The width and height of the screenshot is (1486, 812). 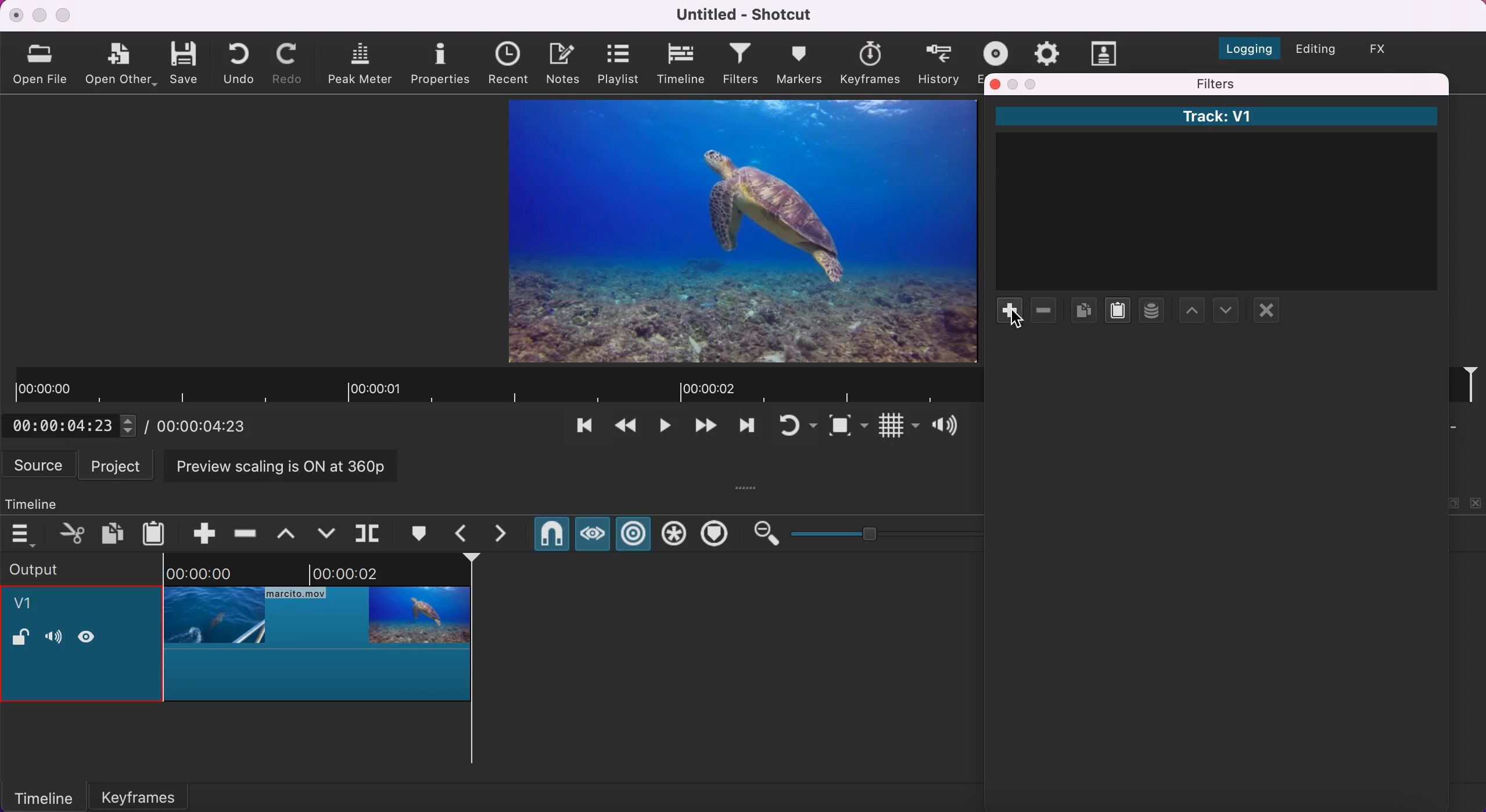 What do you see at coordinates (30, 605) in the screenshot?
I see `v1` at bounding box center [30, 605].